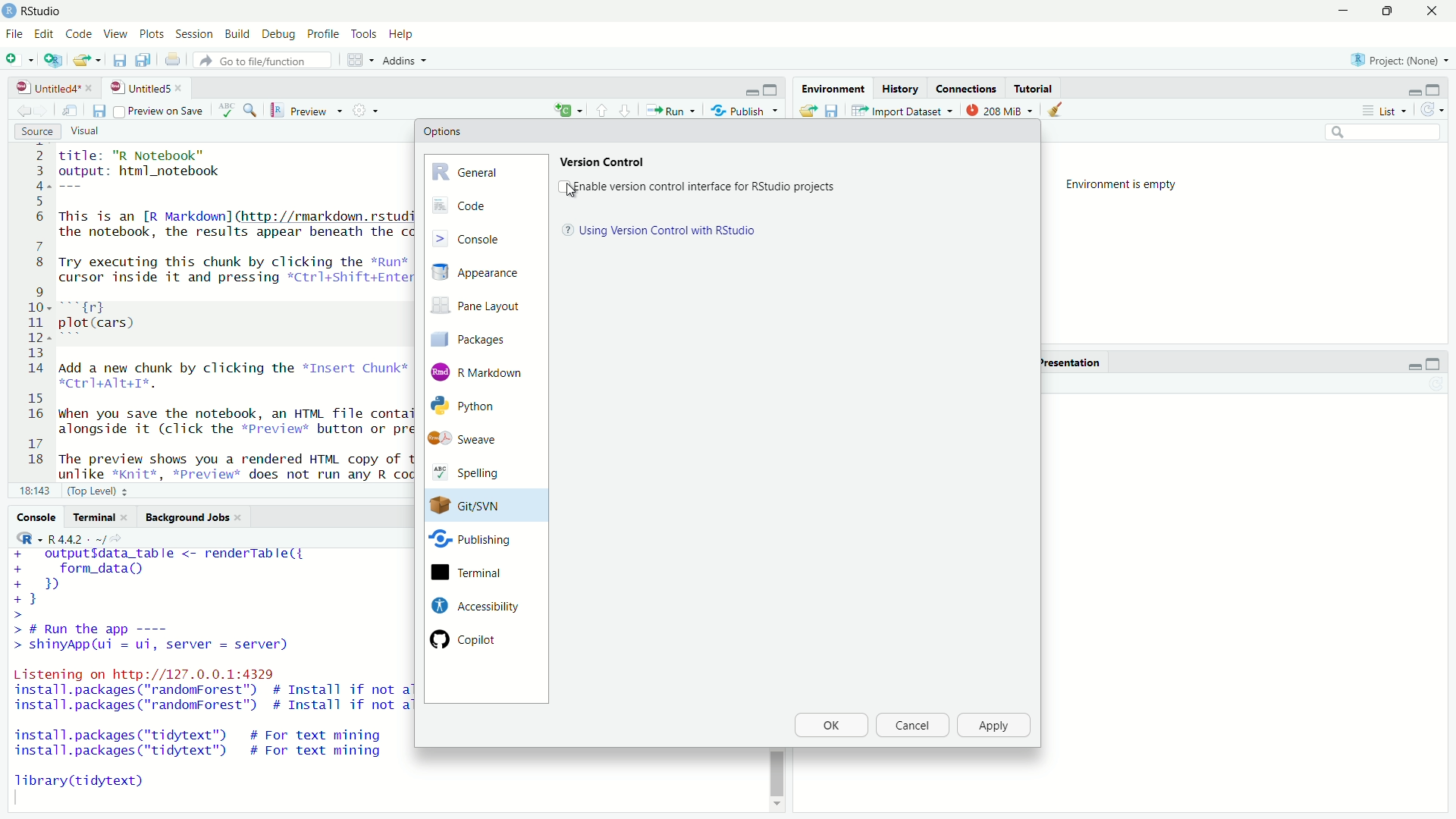 The height and width of the screenshot is (819, 1456). I want to click on Untitled4, so click(43, 88).